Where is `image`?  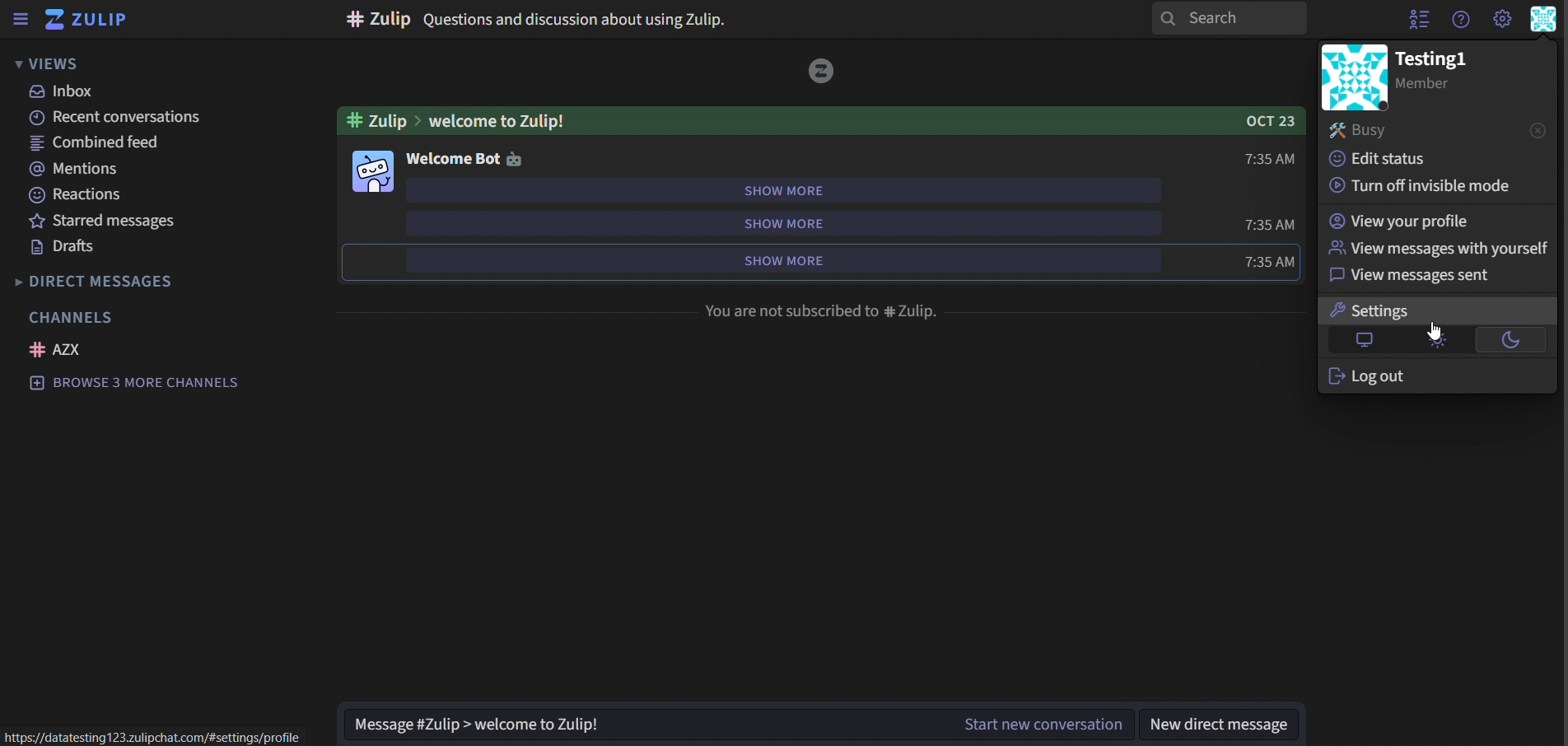
image is located at coordinates (371, 171).